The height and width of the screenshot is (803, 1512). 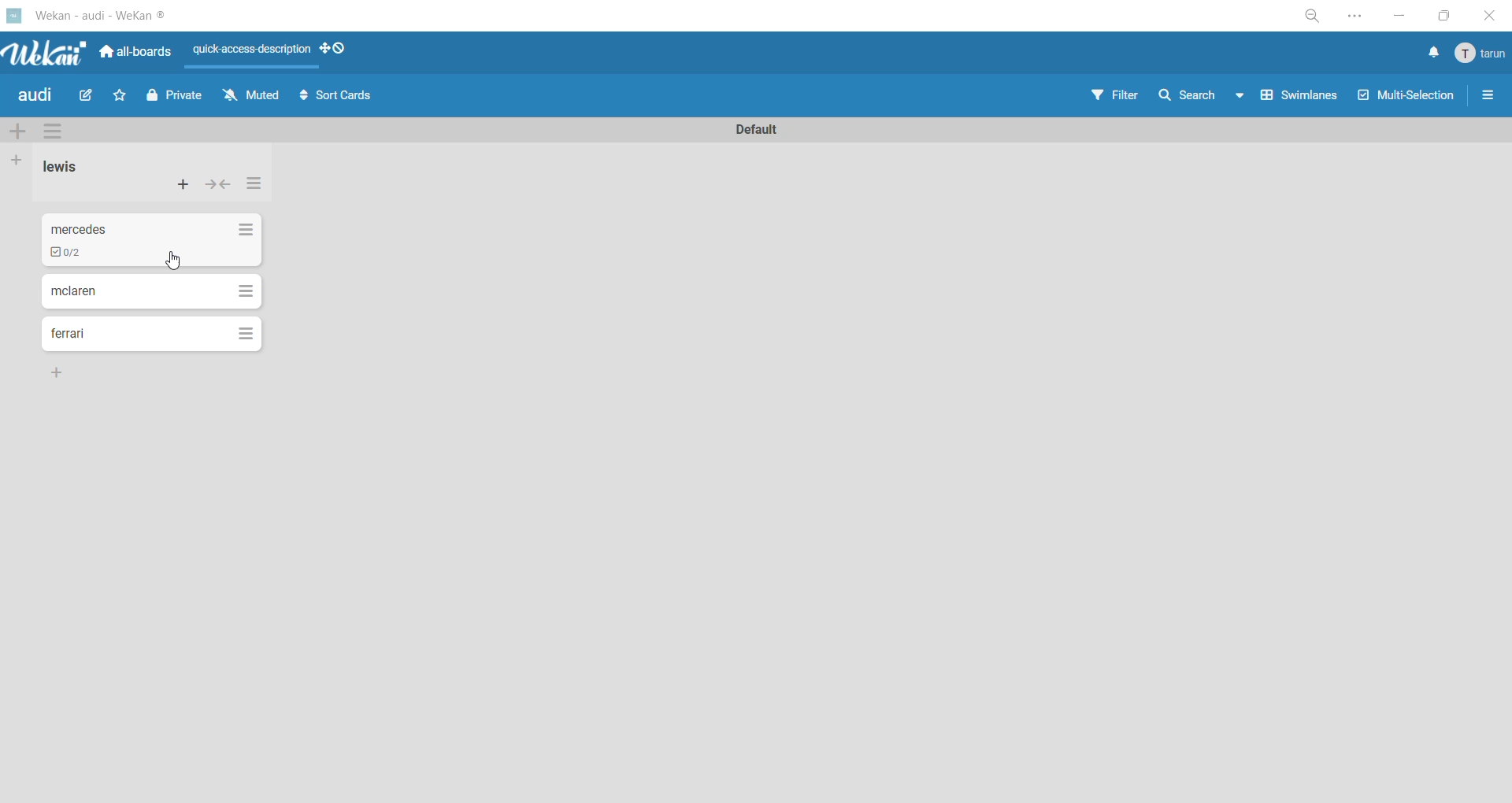 I want to click on add list, so click(x=19, y=161).